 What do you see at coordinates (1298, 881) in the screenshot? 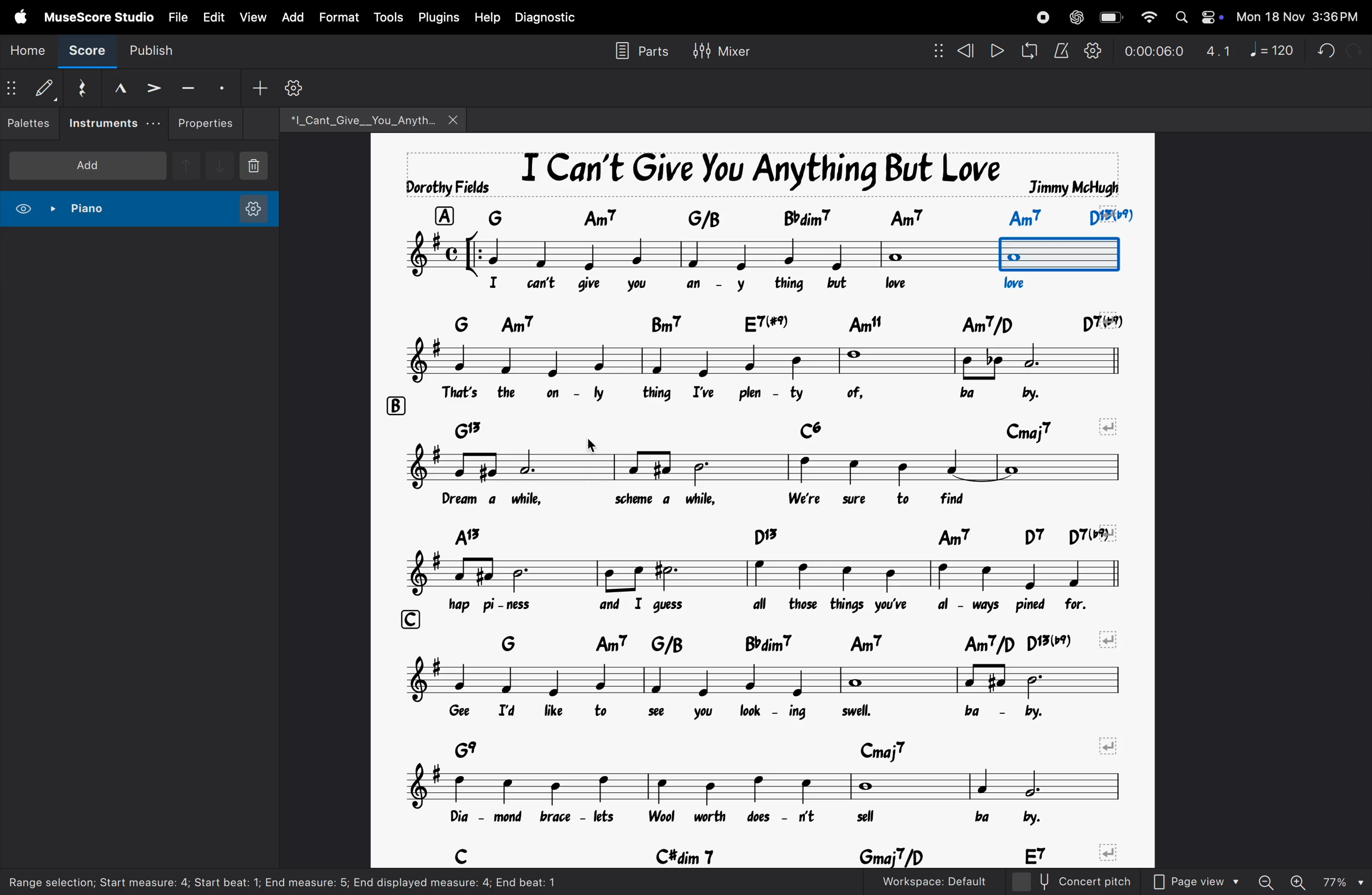
I see `zoom in` at bounding box center [1298, 881].